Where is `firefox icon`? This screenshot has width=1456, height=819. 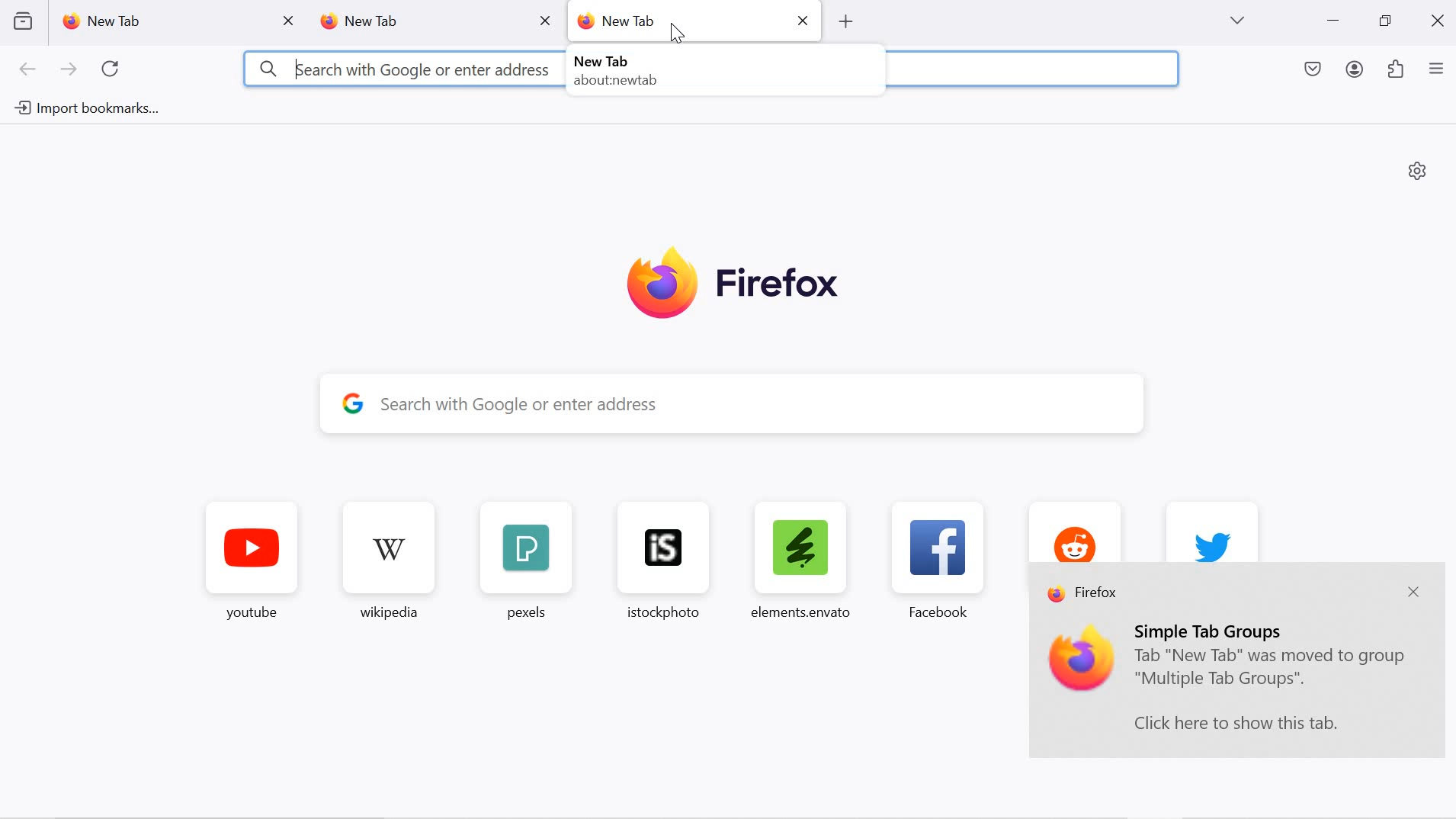
firefox icon is located at coordinates (1082, 660).